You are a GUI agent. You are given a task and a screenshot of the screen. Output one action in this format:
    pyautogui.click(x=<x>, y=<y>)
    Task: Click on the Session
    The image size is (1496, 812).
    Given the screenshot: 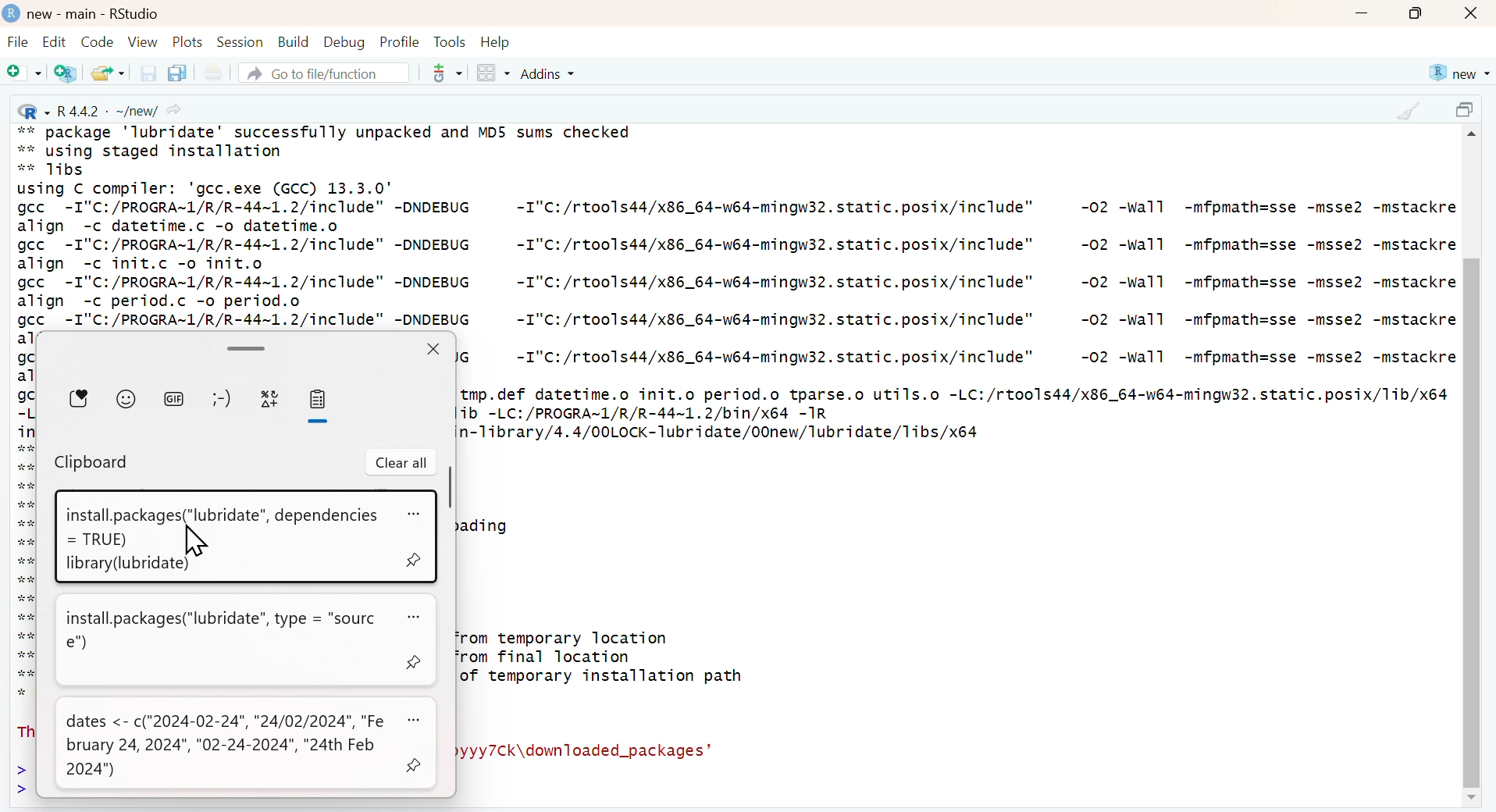 What is the action you would take?
    pyautogui.click(x=240, y=41)
    